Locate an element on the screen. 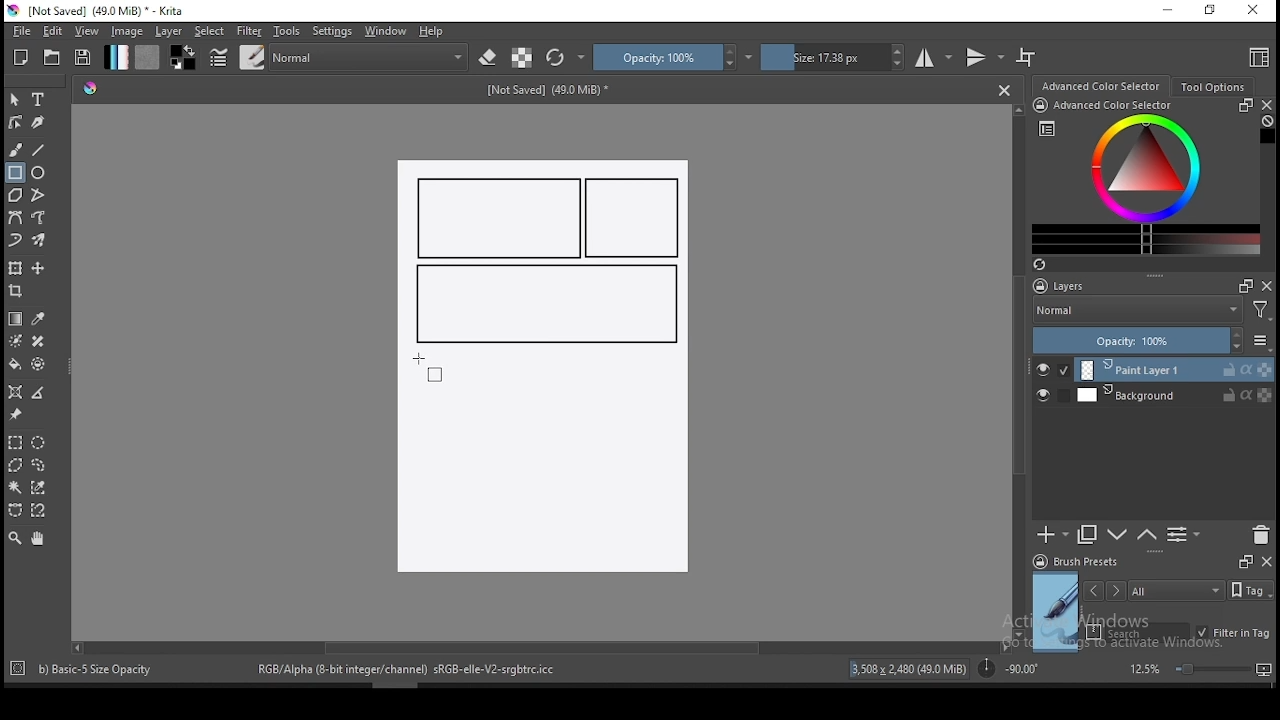 The height and width of the screenshot is (720, 1280). colorize mask tool is located at coordinates (17, 341).